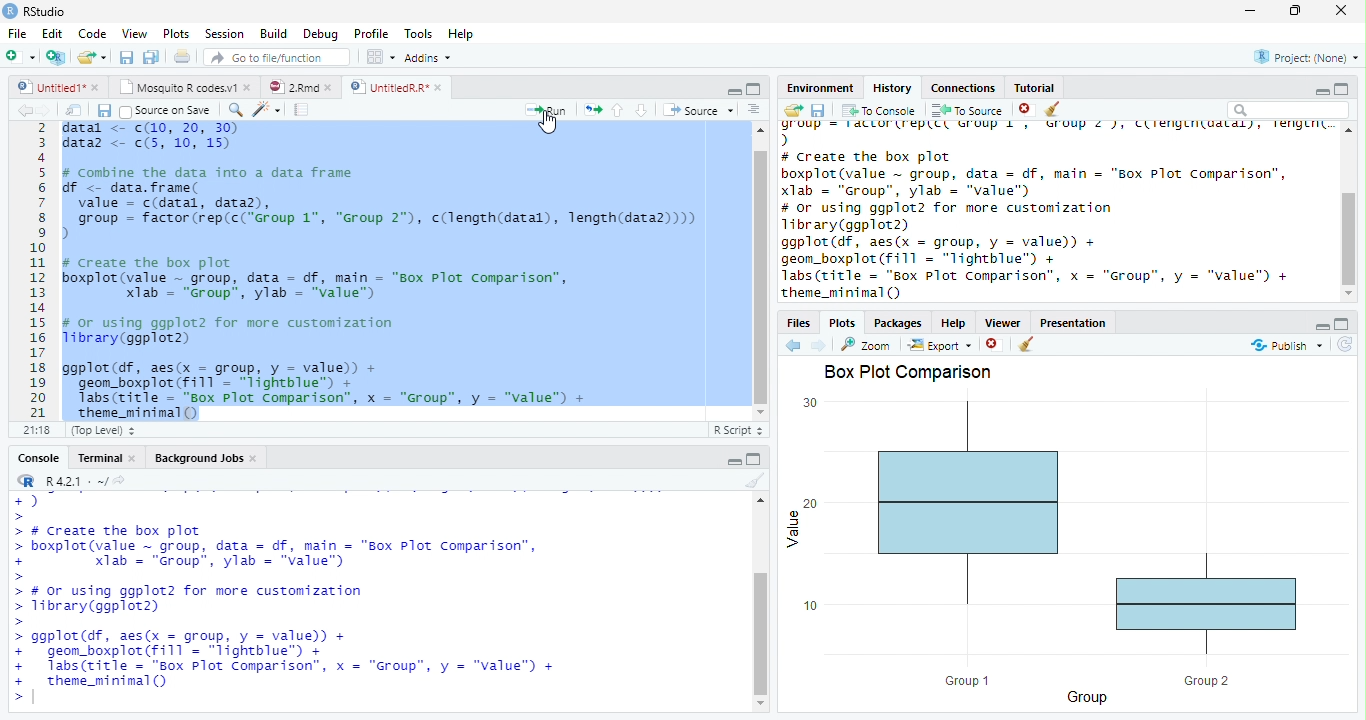  I want to click on Remove current plot, so click(995, 344).